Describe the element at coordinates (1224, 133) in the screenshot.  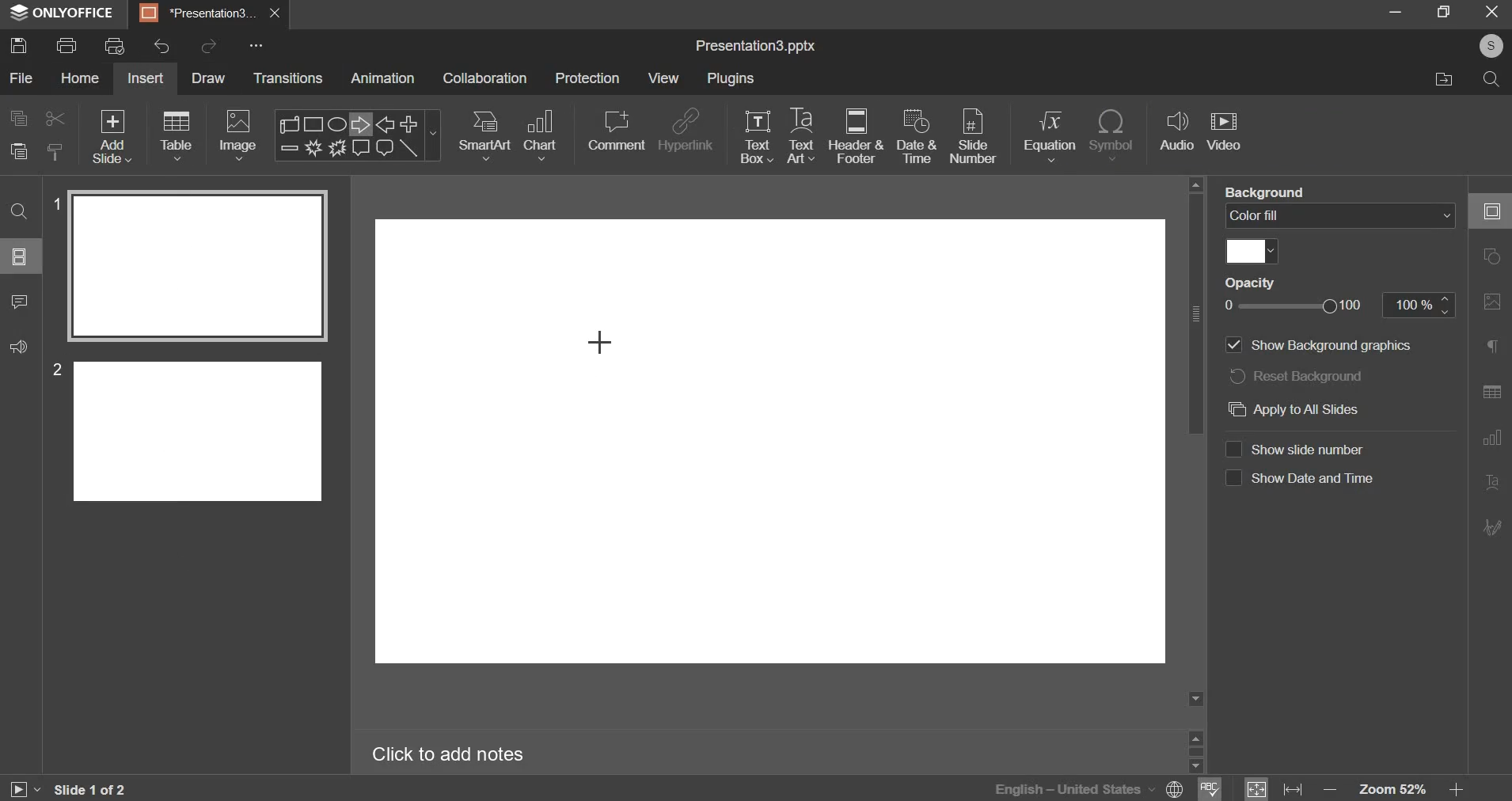
I see `video` at that location.